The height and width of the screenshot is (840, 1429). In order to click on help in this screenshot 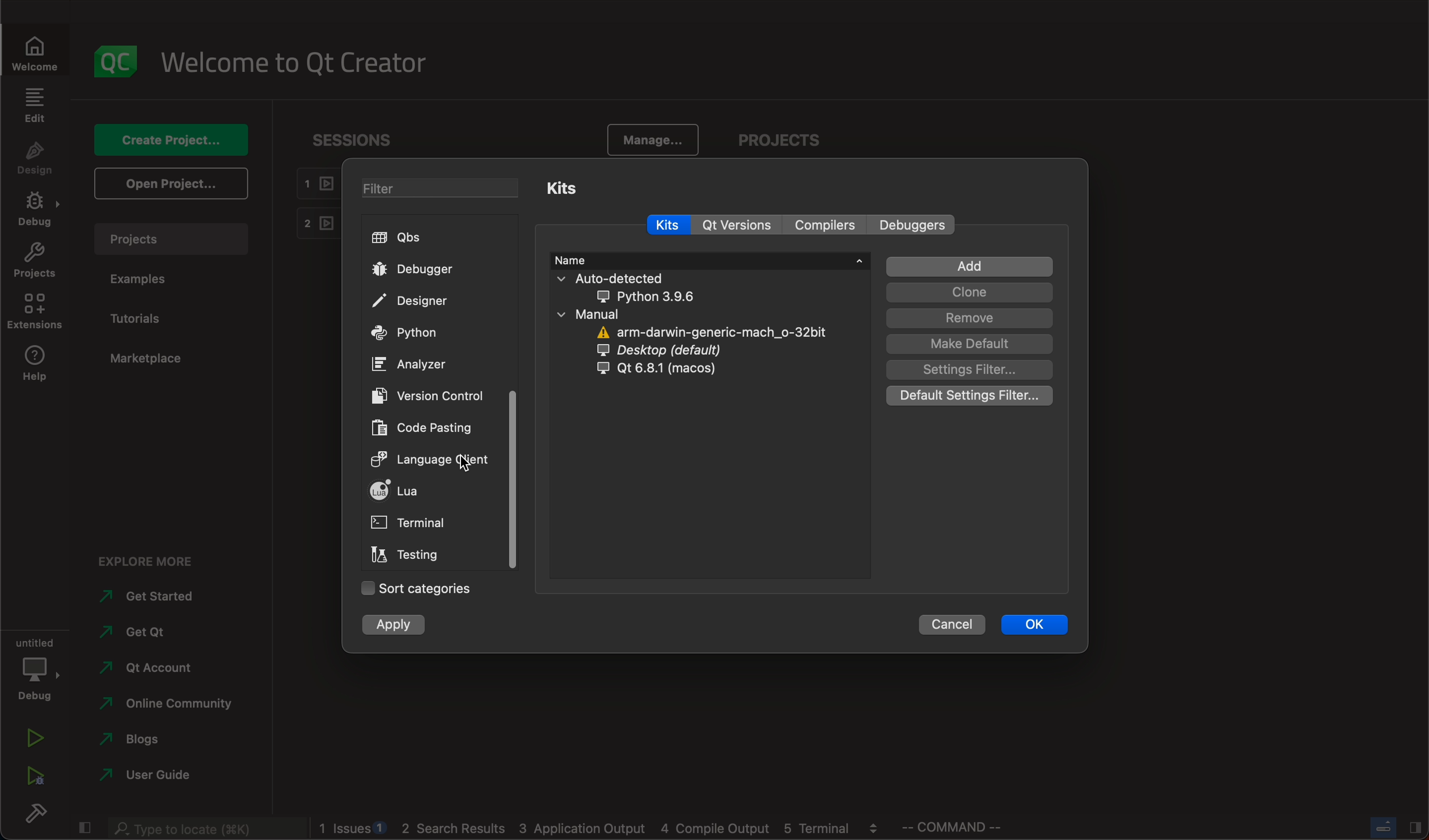, I will do `click(36, 366)`.